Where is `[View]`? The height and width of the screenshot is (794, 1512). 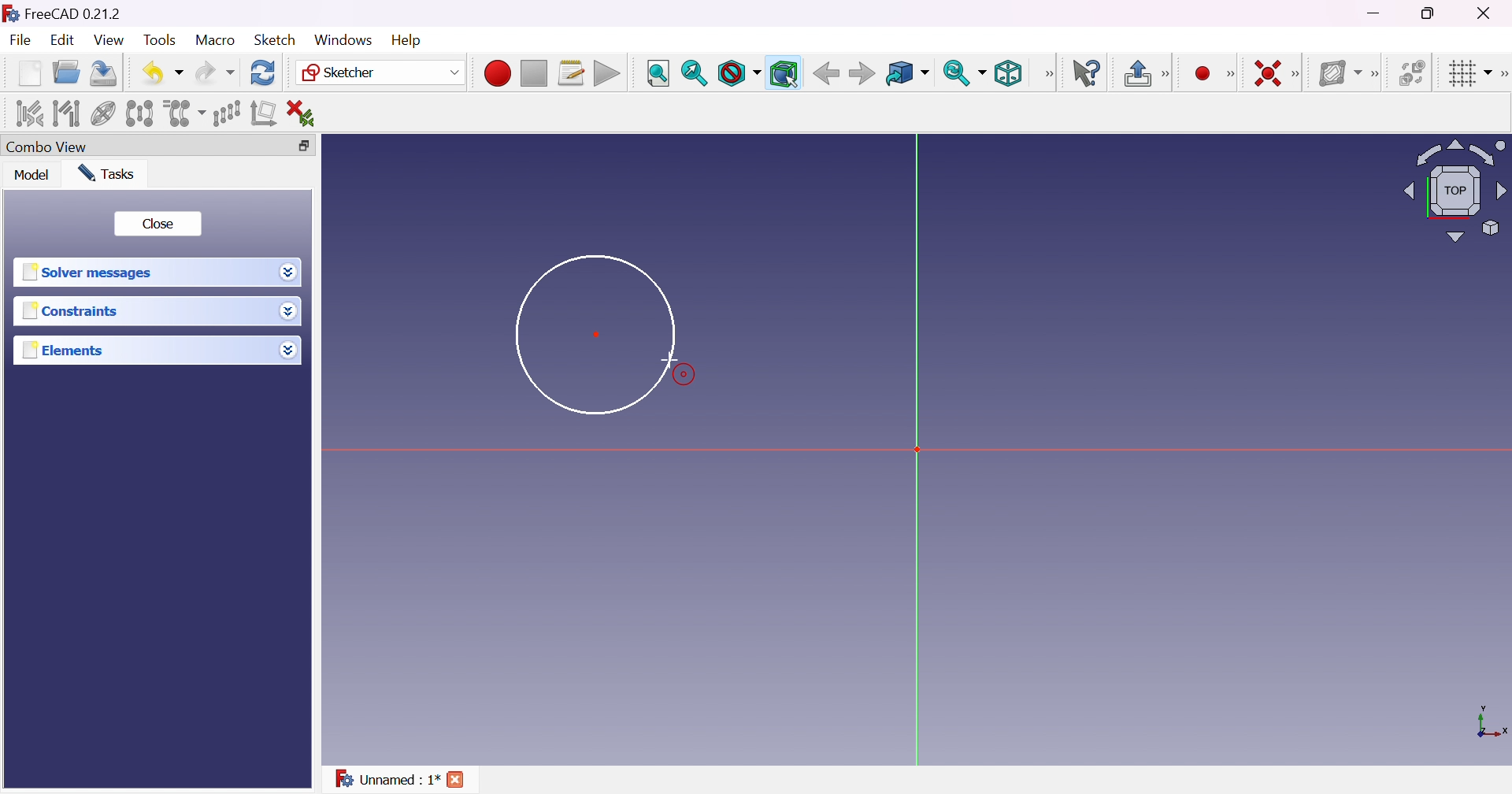 [View] is located at coordinates (1047, 75).